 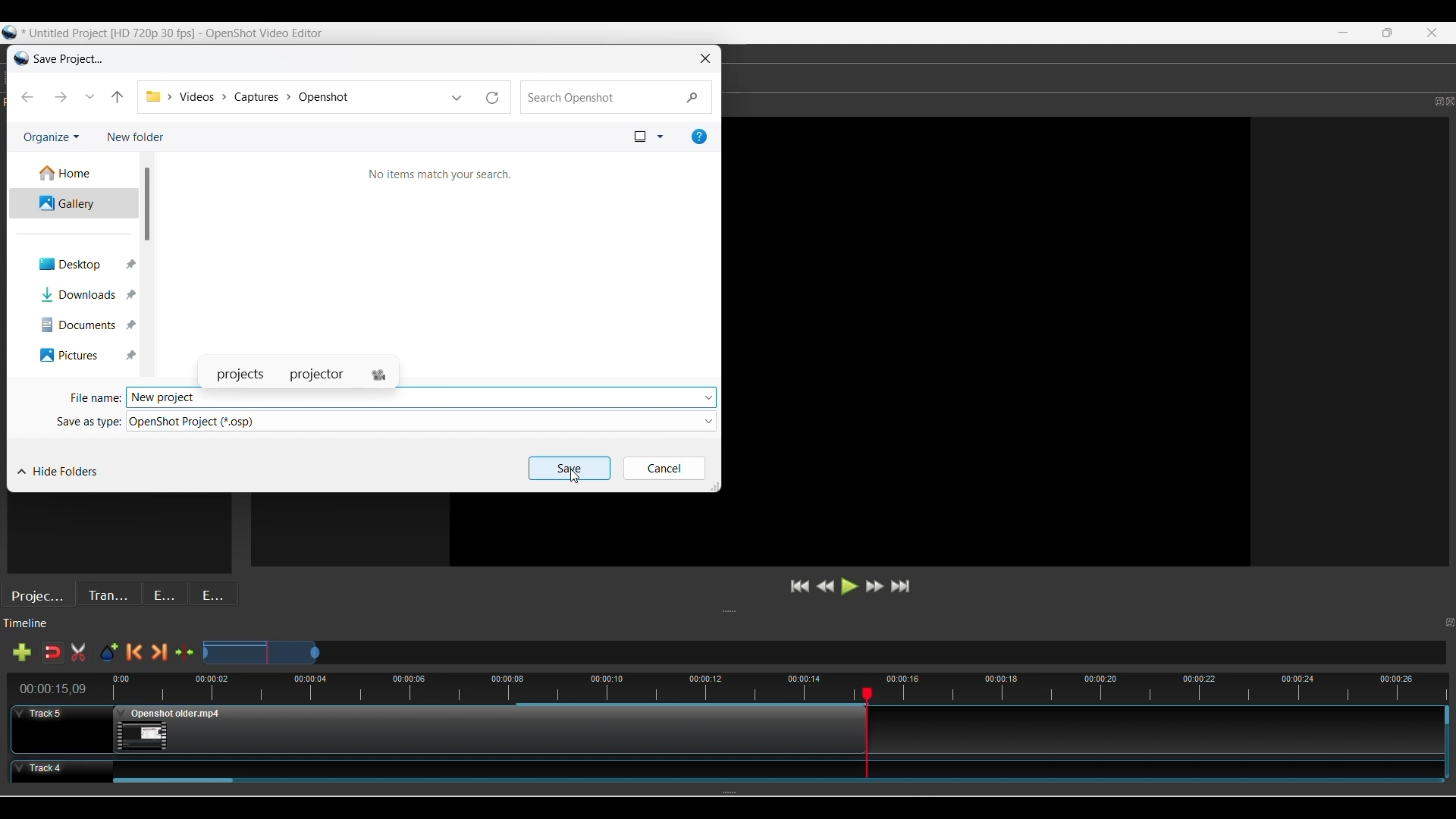 What do you see at coordinates (136, 136) in the screenshot?
I see `Add new folder` at bounding box center [136, 136].